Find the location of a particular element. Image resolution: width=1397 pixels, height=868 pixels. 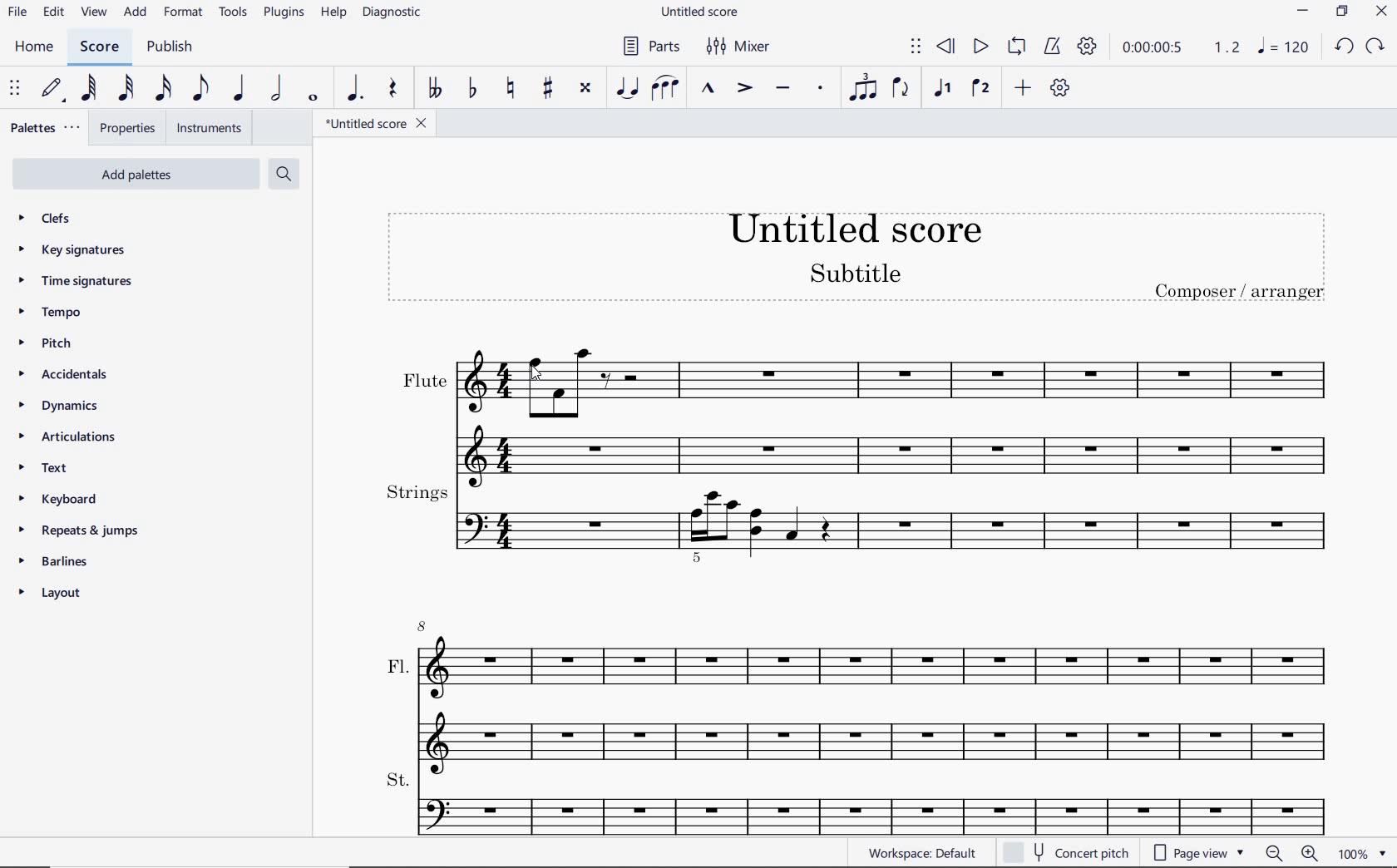

keyboard is located at coordinates (63, 500).